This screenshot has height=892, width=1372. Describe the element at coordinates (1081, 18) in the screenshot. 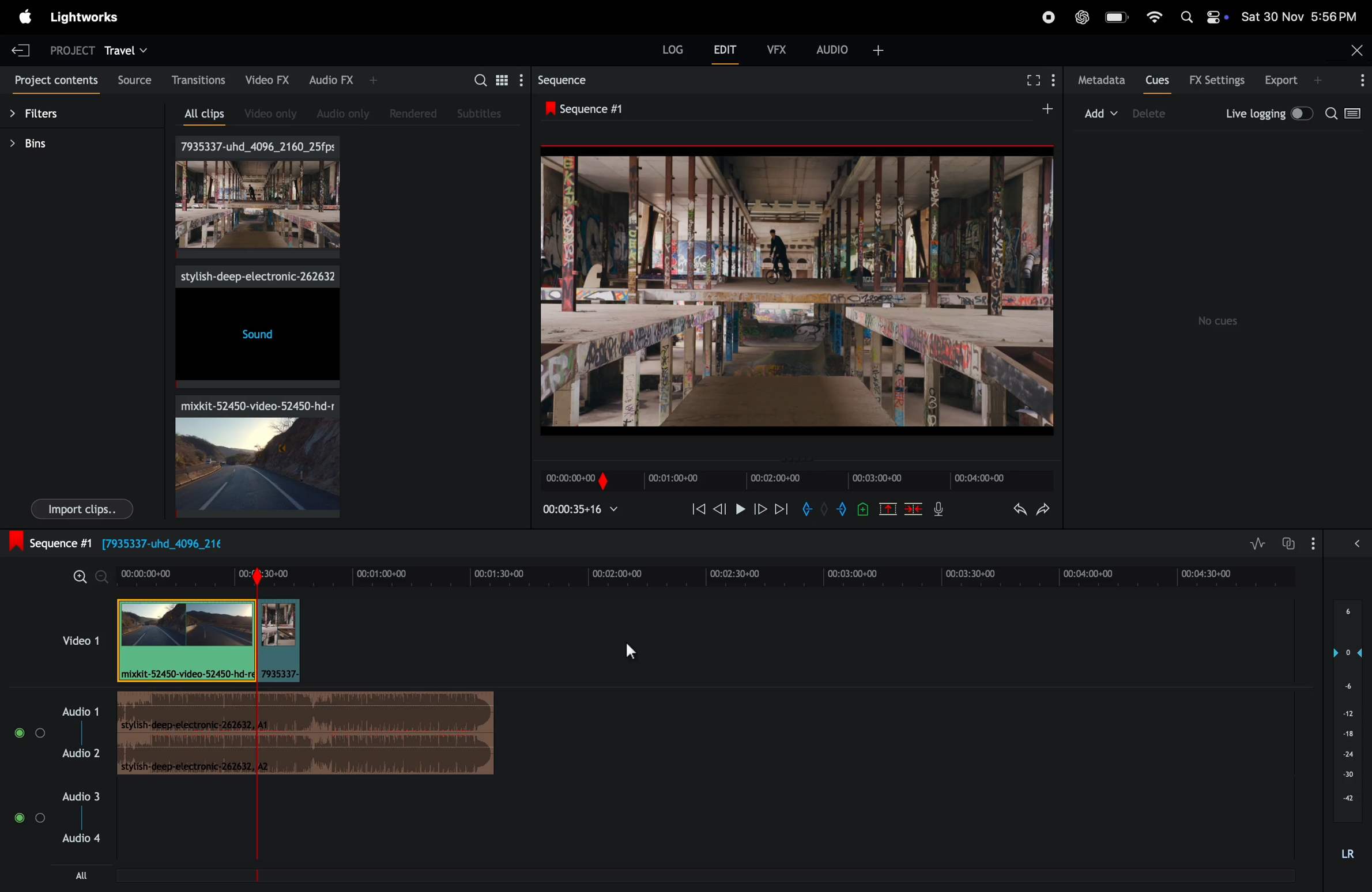

I see `chatgpt` at that location.